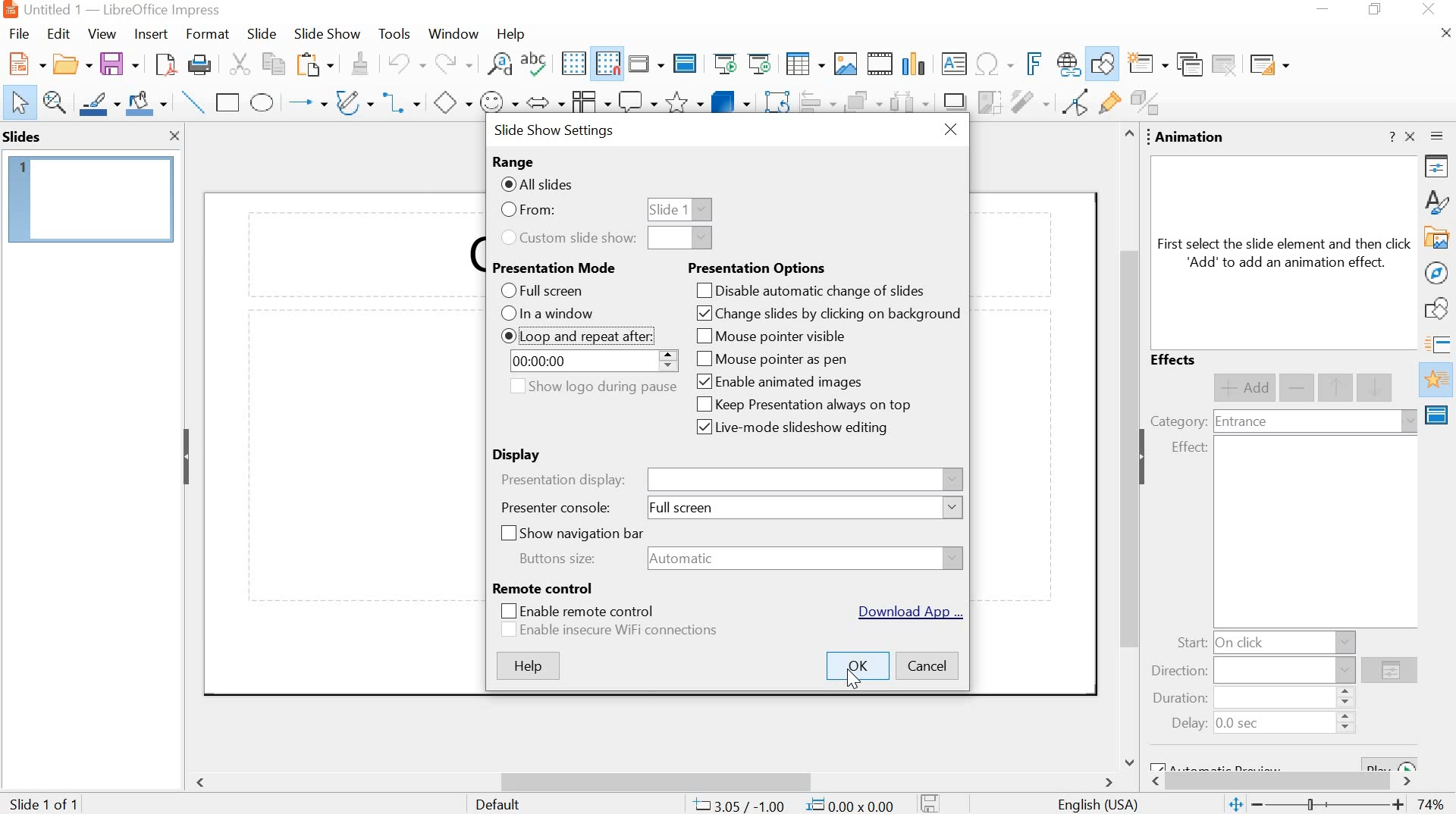  What do you see at coordinates (509, 336) in the screenshot?
I see `enabled` at bounding box center [509, 336].